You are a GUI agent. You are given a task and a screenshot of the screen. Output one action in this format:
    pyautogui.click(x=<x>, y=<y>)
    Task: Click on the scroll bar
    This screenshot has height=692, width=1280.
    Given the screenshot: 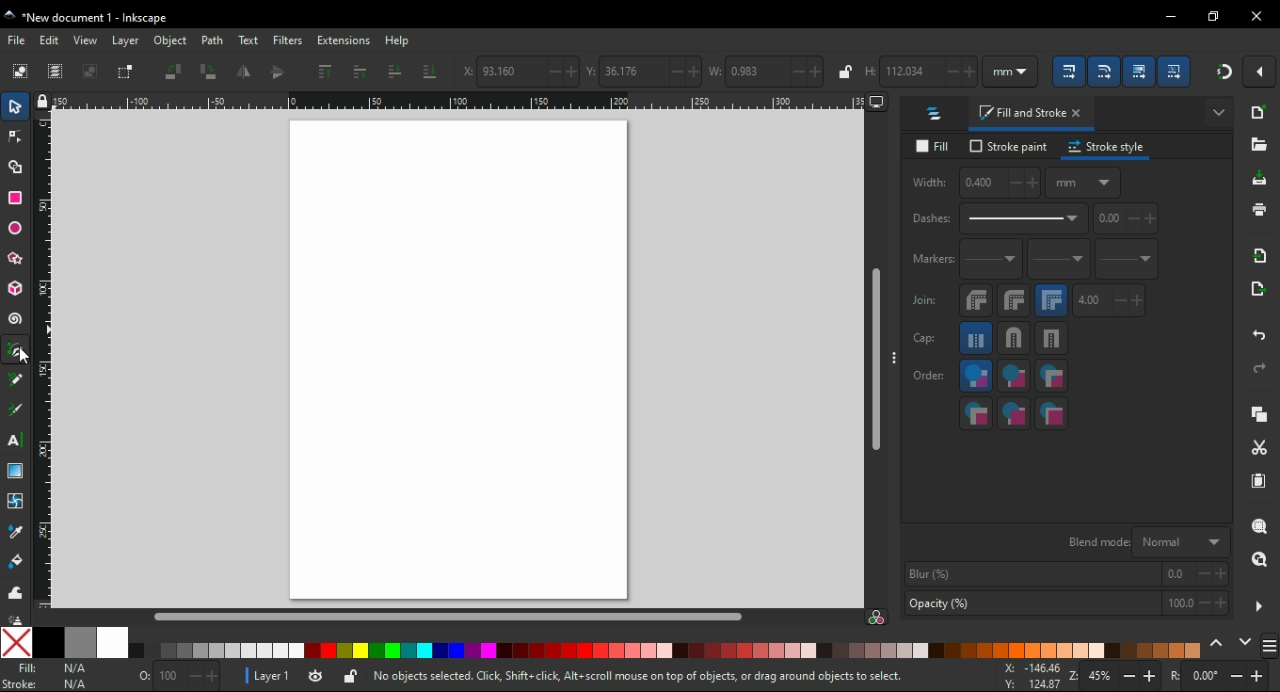 What is the action you would take?
    pyautogui.click(x=452, y=615)
    